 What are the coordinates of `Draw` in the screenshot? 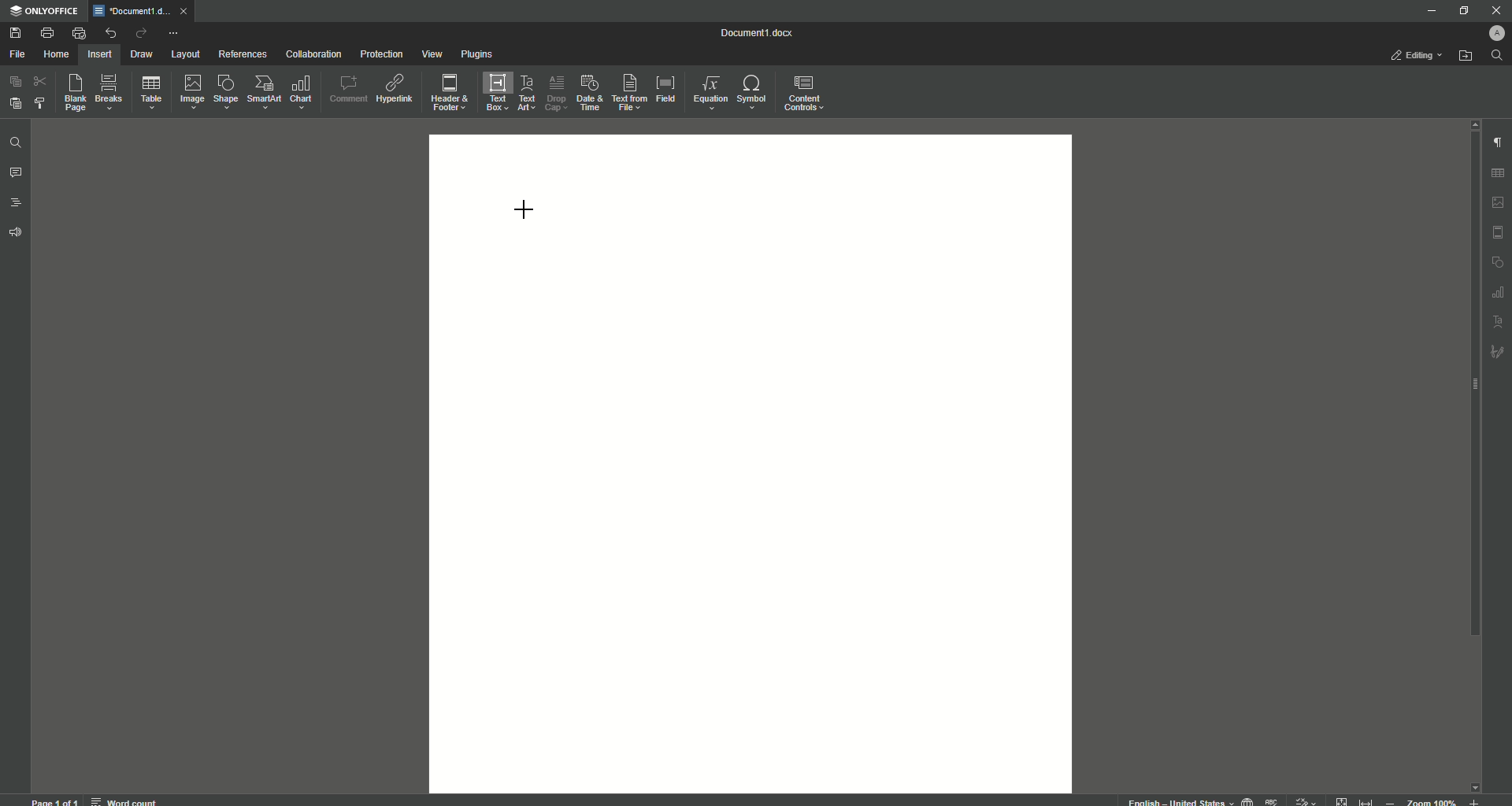 It's located at (143, 55).